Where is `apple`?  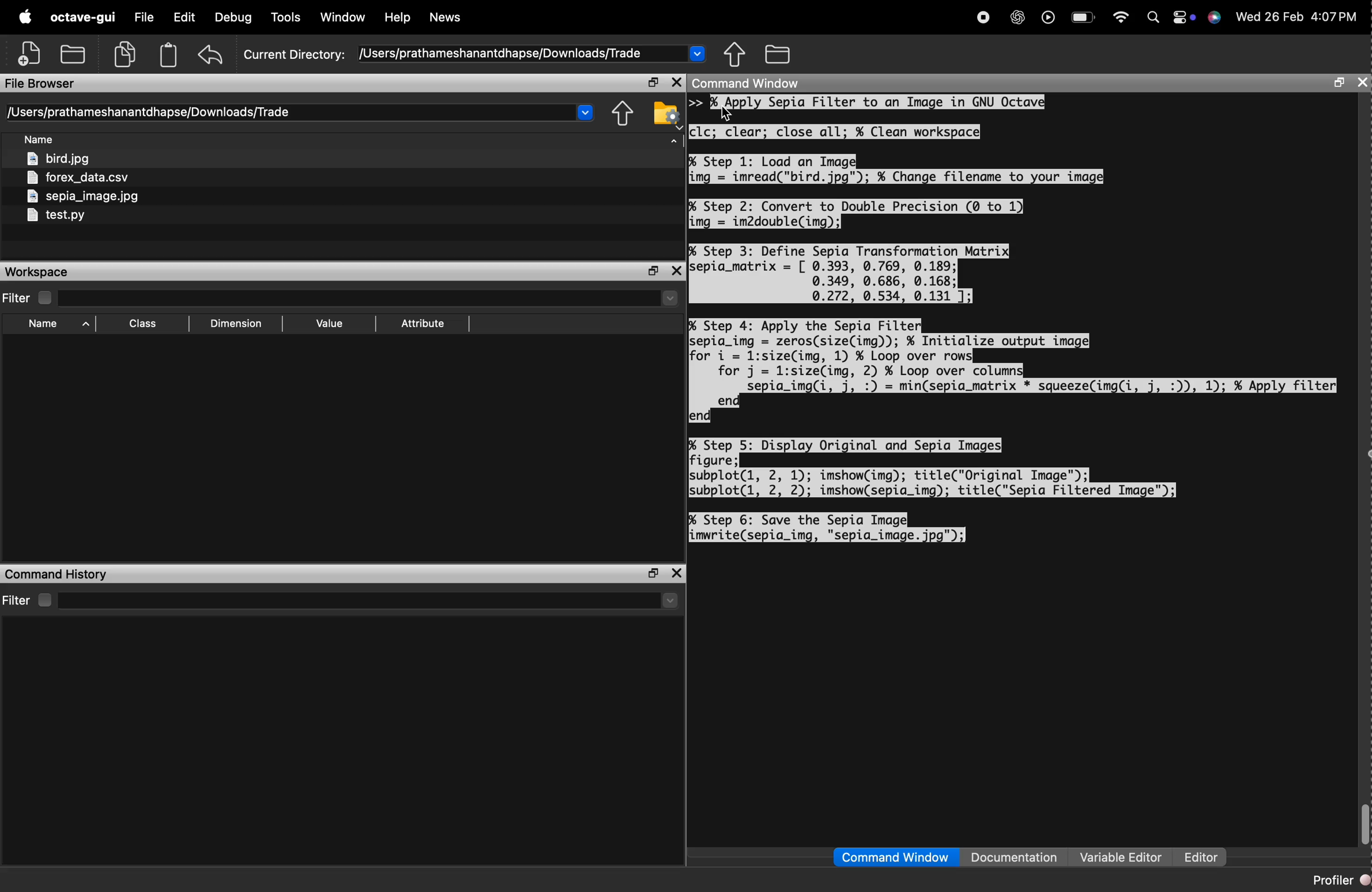 apple is located at coordinates (25, 16).